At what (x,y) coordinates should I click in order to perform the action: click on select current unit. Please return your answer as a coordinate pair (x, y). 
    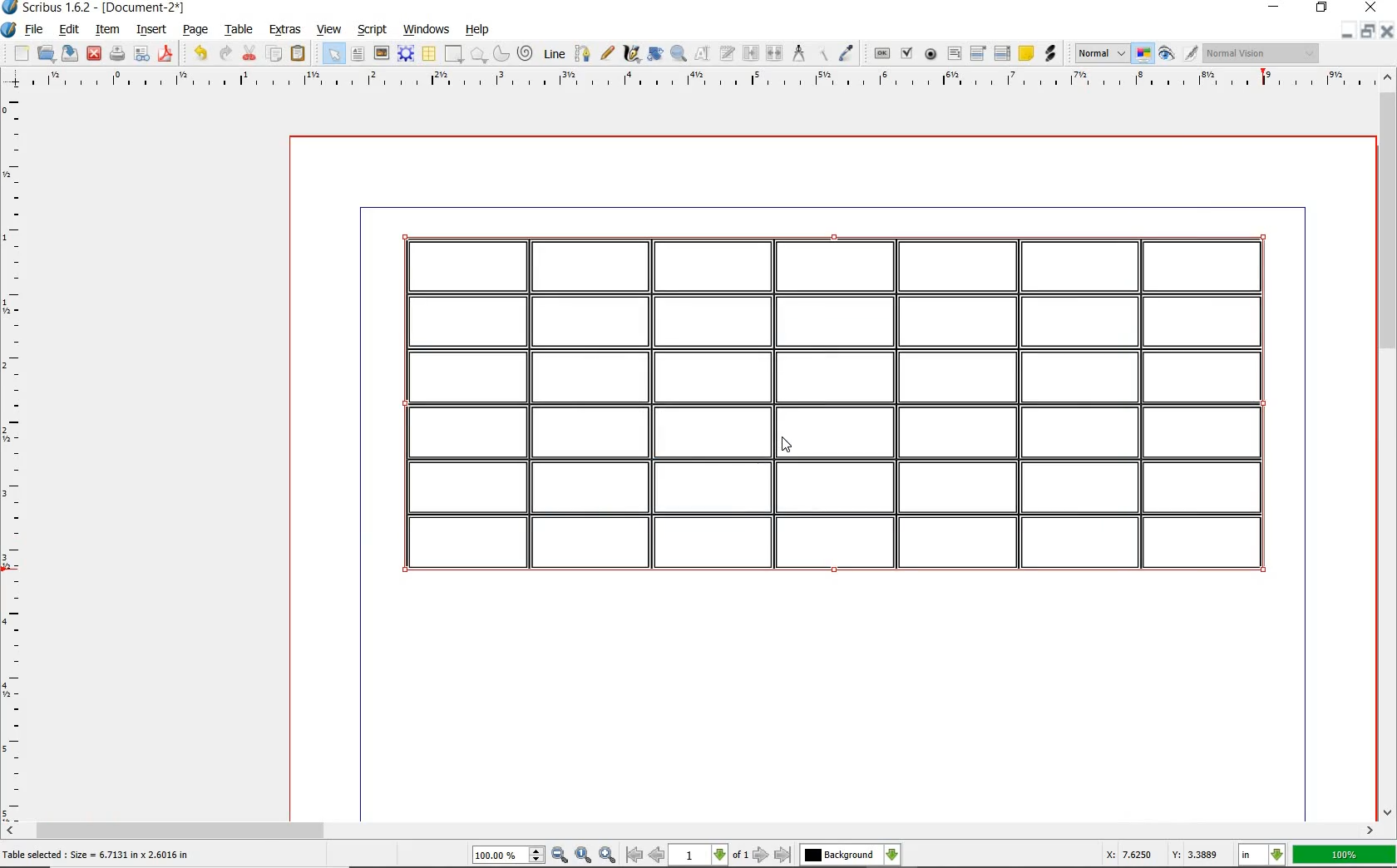
    Looking at the image, I should click on (1264, 856).